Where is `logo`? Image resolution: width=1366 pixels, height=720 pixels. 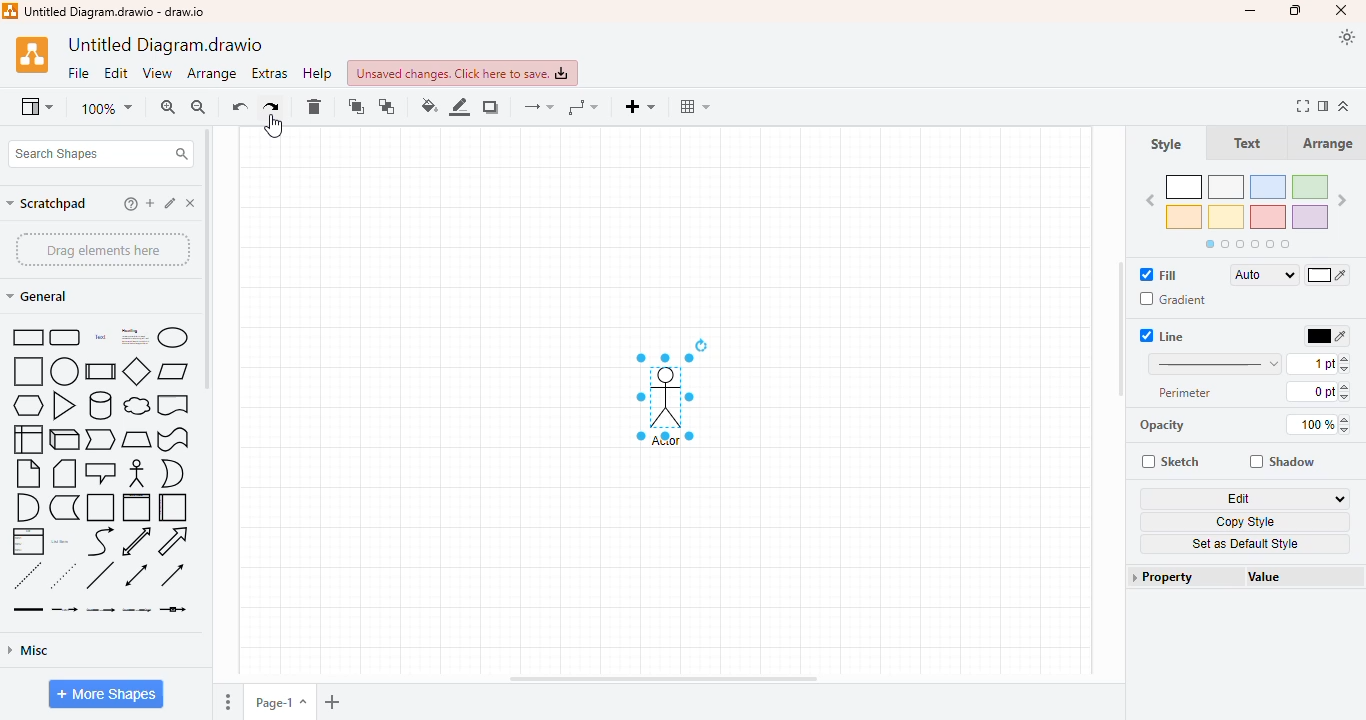 logo is located at coordinates (10, 10).